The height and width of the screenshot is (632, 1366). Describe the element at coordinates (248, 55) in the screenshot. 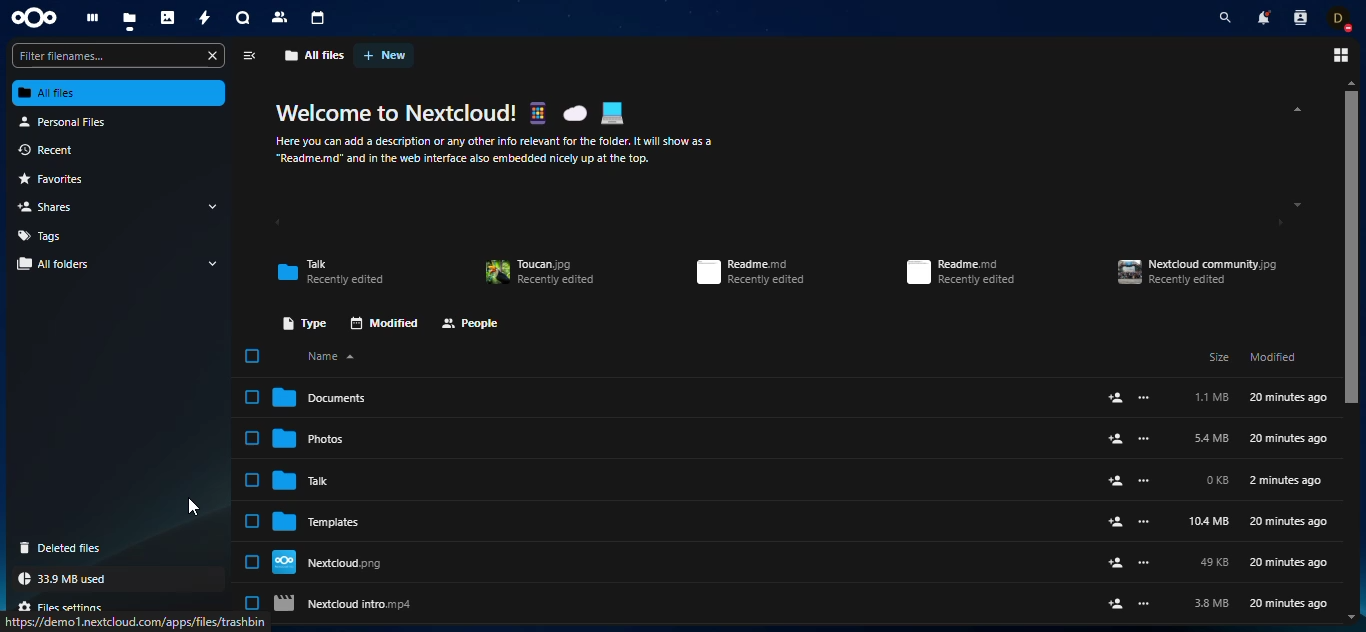

I see `Options` at that location.